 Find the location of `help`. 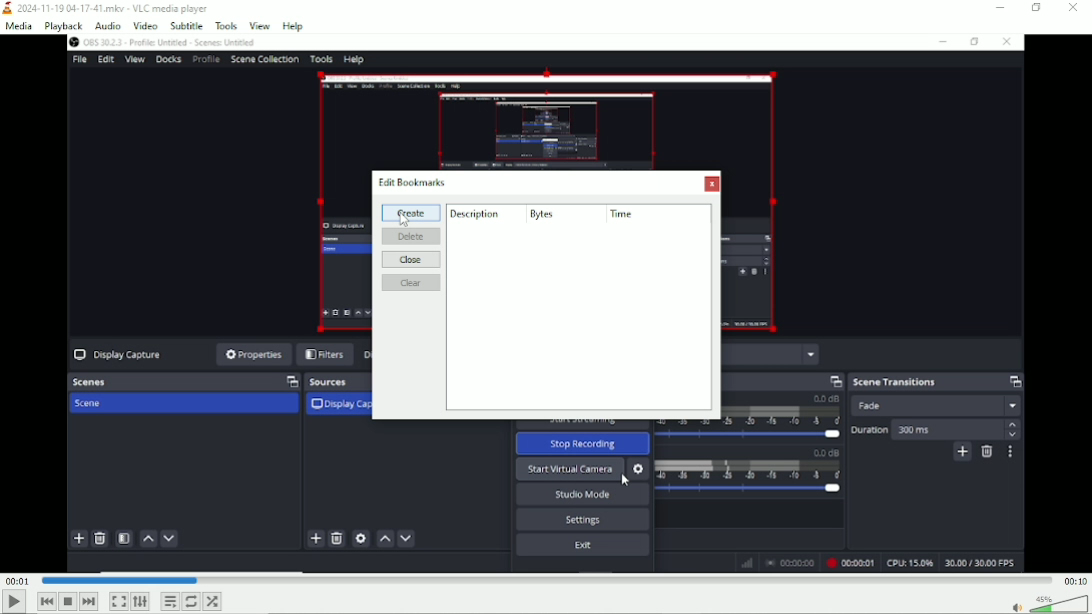

help is located at coordinates (295, 25).